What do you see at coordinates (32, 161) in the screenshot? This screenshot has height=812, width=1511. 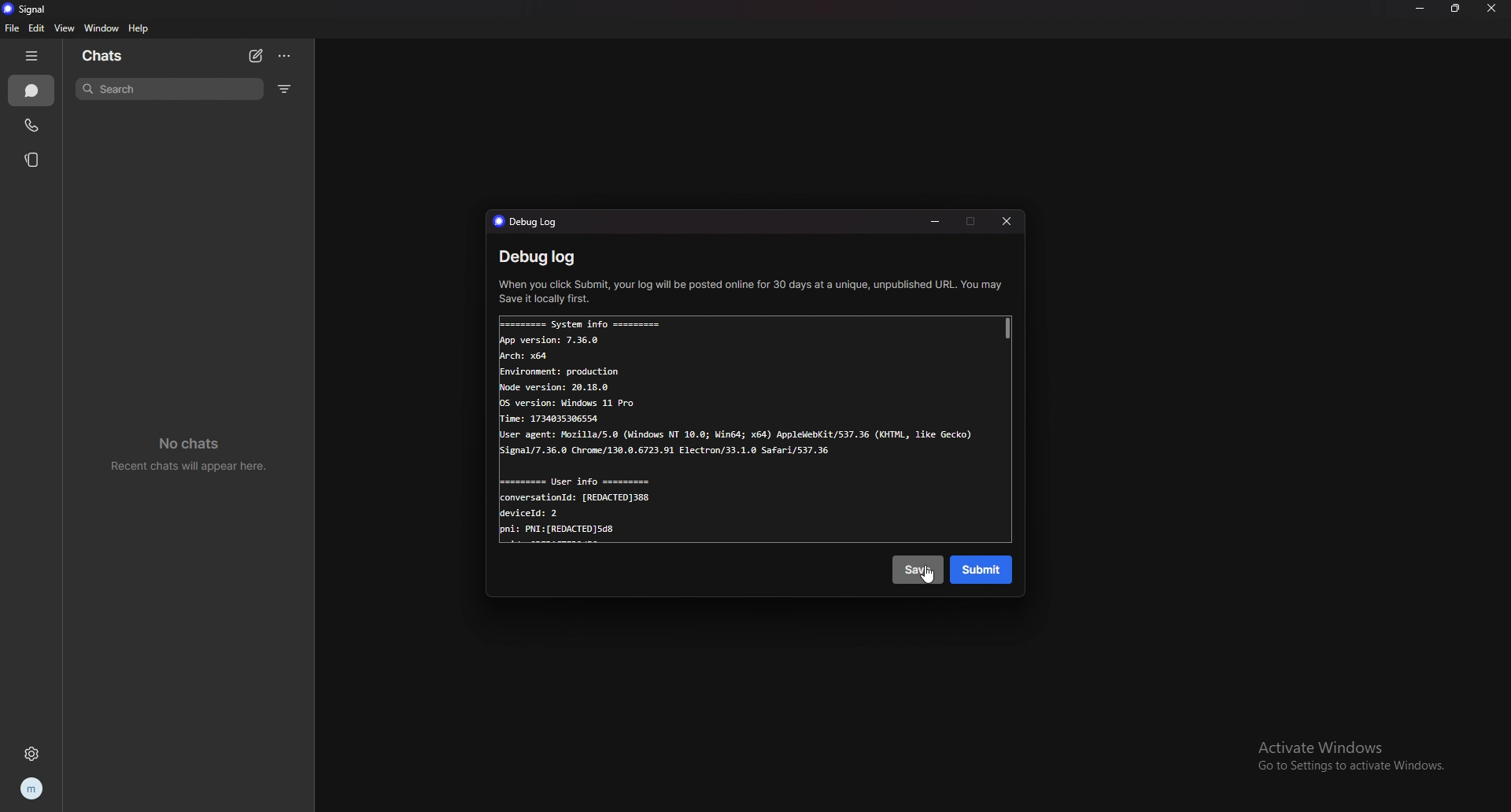 I see `stories` at bounding box center [32, 161].